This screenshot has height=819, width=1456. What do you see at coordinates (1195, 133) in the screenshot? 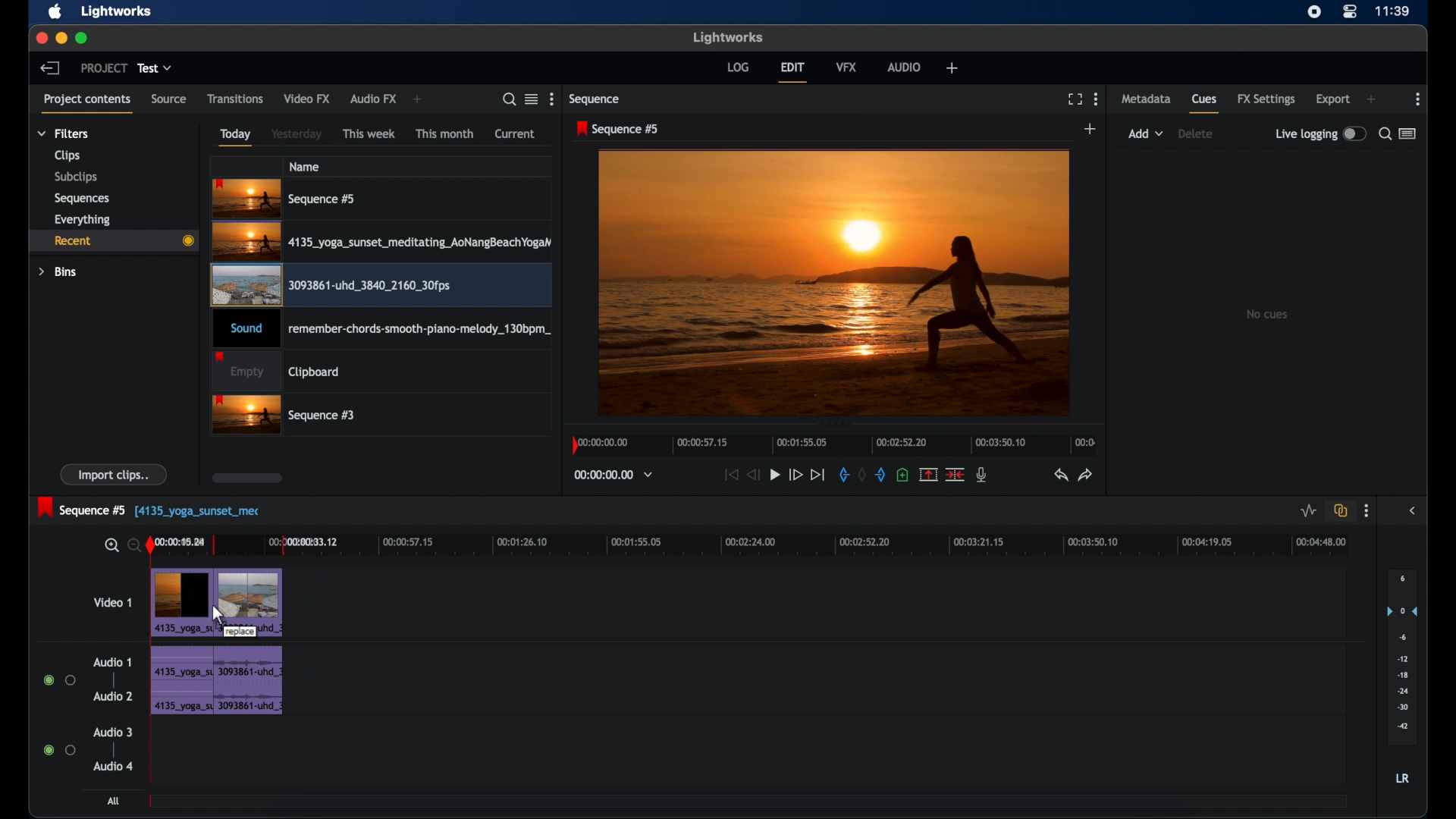
I see `delete` at bounding box center [1195, 133].